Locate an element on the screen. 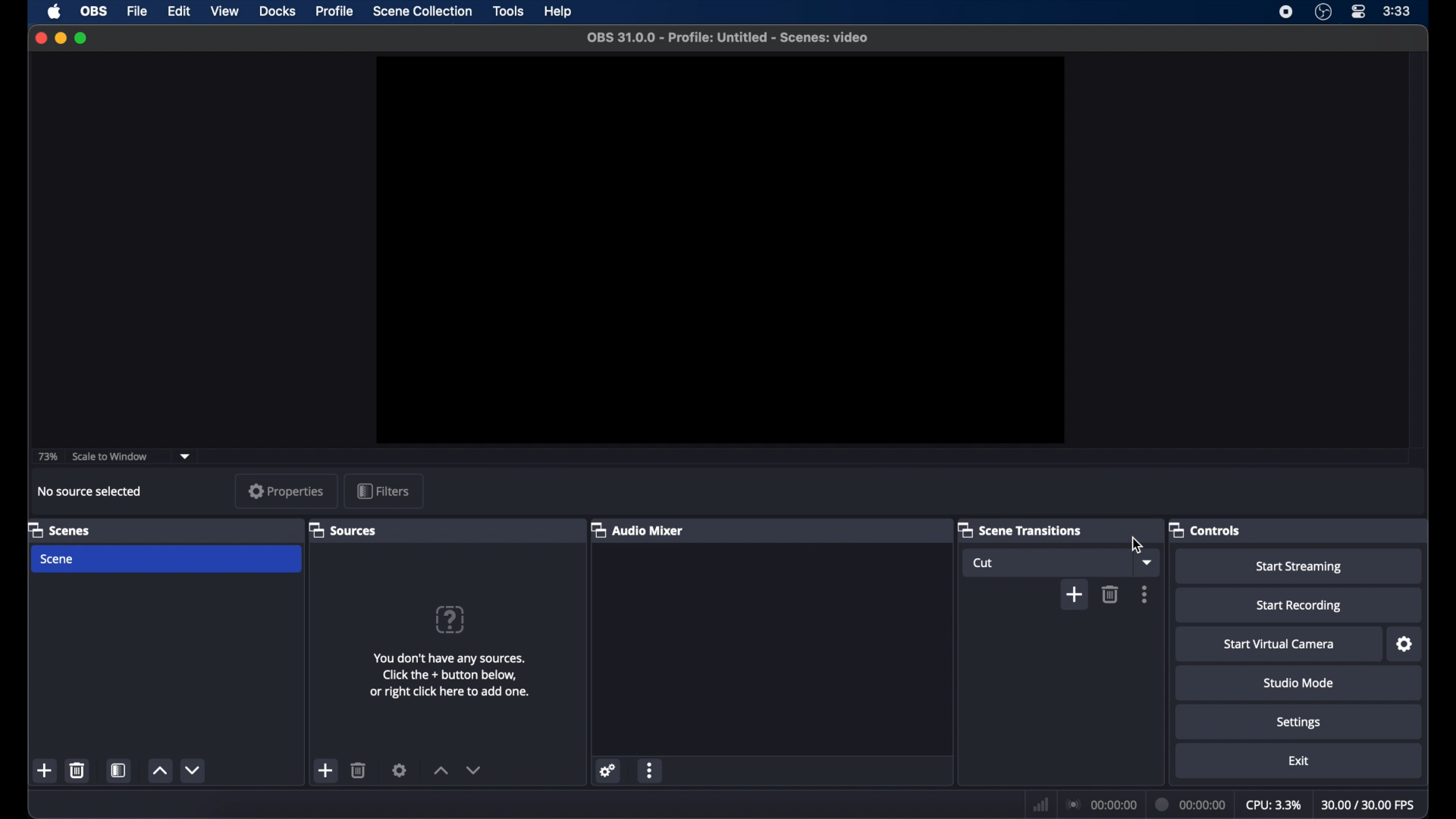 The image size is (1456, 819). You don't have any sources.
Click the + button below,
or right click here to add one. is located at coordinates (452, 676).